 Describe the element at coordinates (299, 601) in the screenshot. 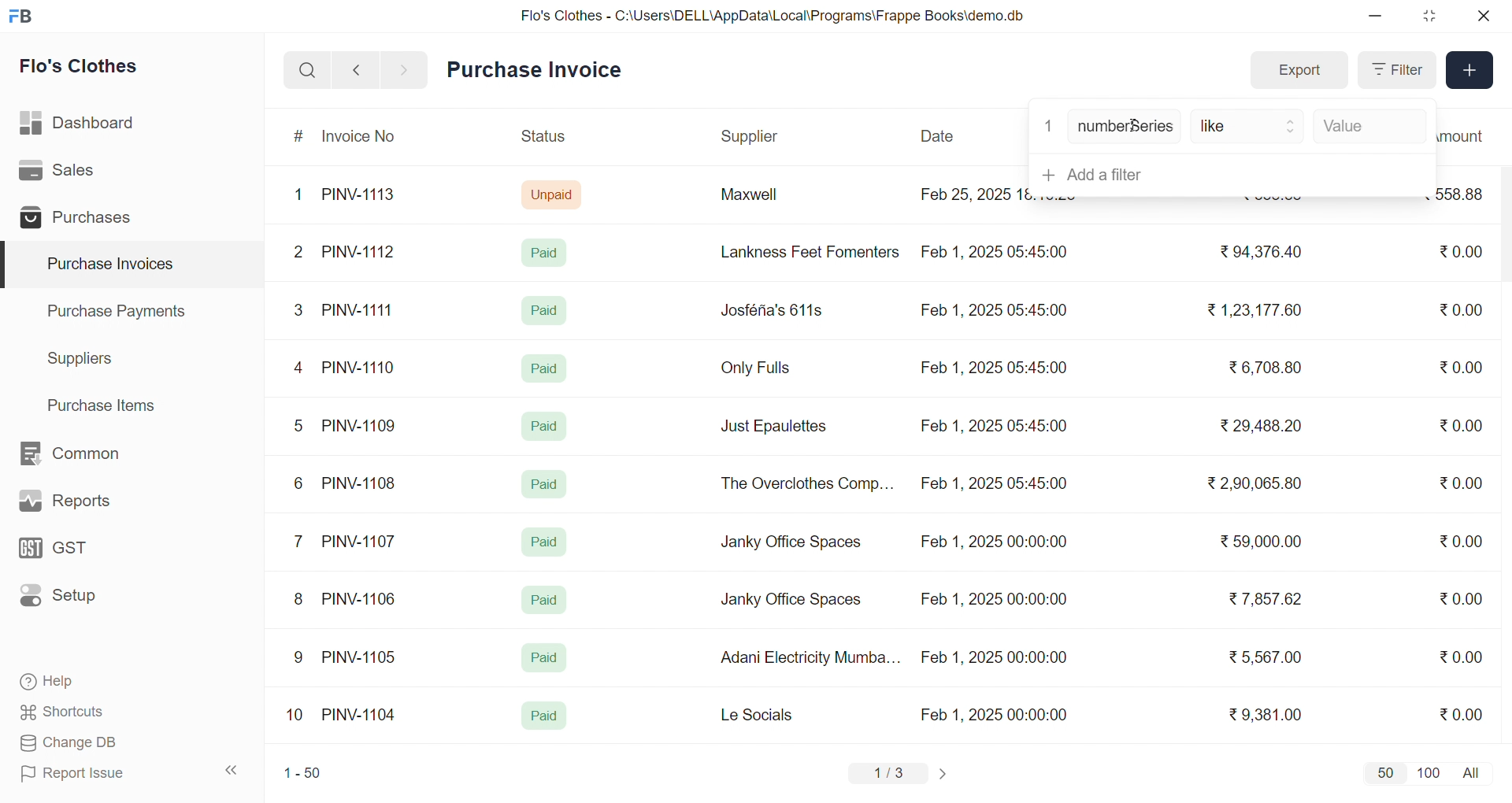

I see `8` at that location.